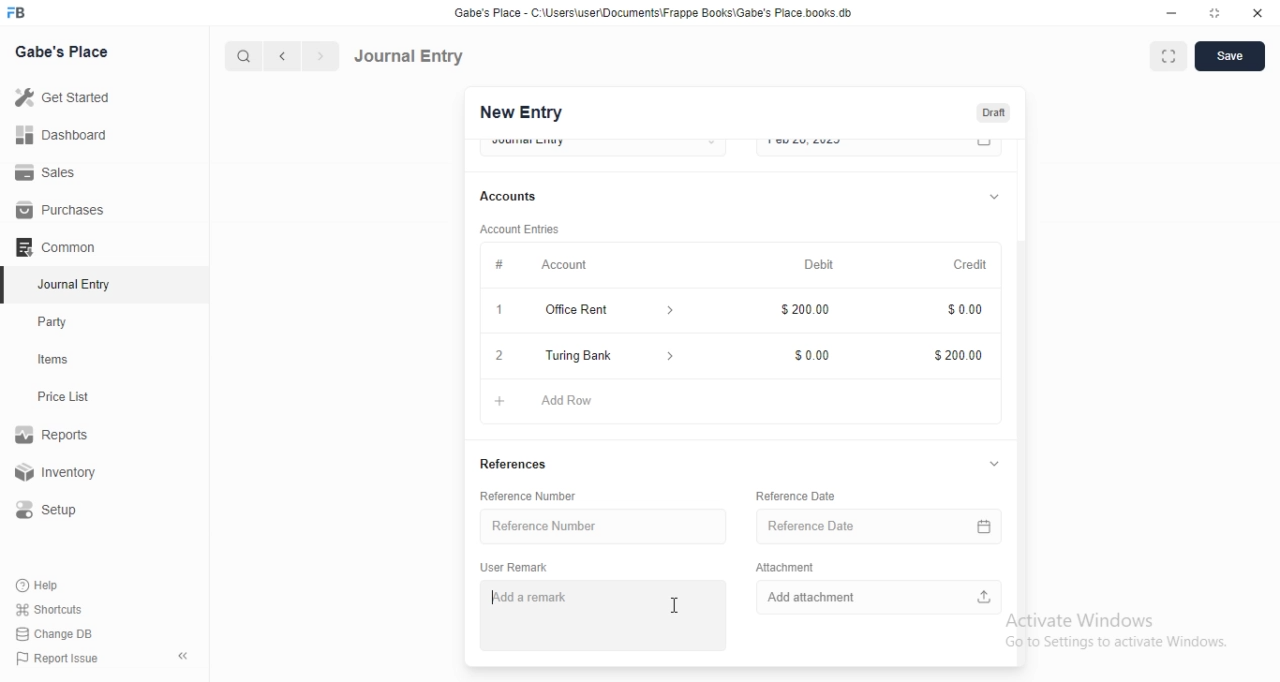 The image size is (1280, 682). Describe the element at coordinates (669, 12) in the screenshot. I see `‘Gabe's Place - C\UsersiuserDocuments\Frappe Books\Gabe's Place books db` at that location.